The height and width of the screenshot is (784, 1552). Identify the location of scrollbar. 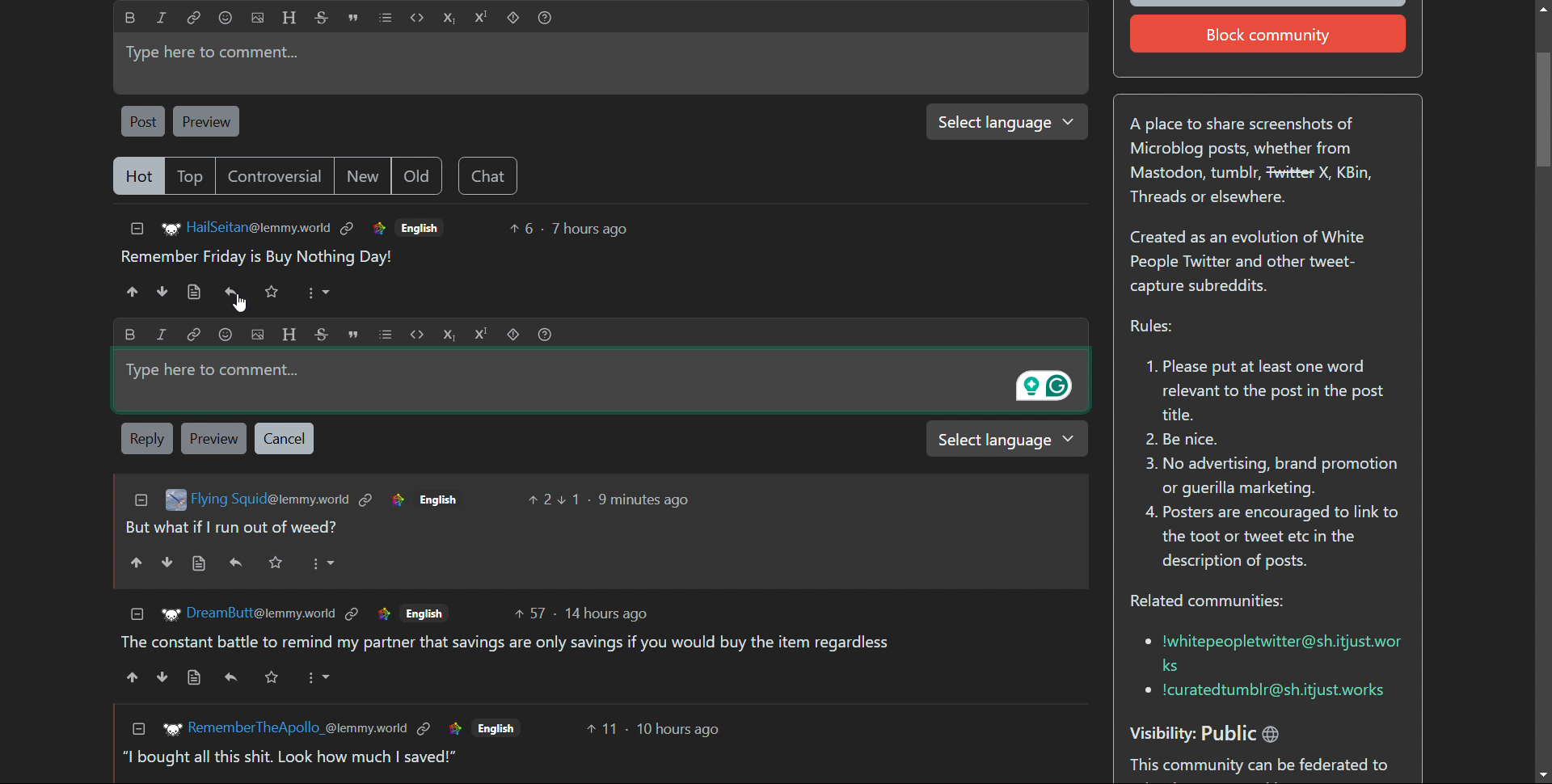
(1541, 386).